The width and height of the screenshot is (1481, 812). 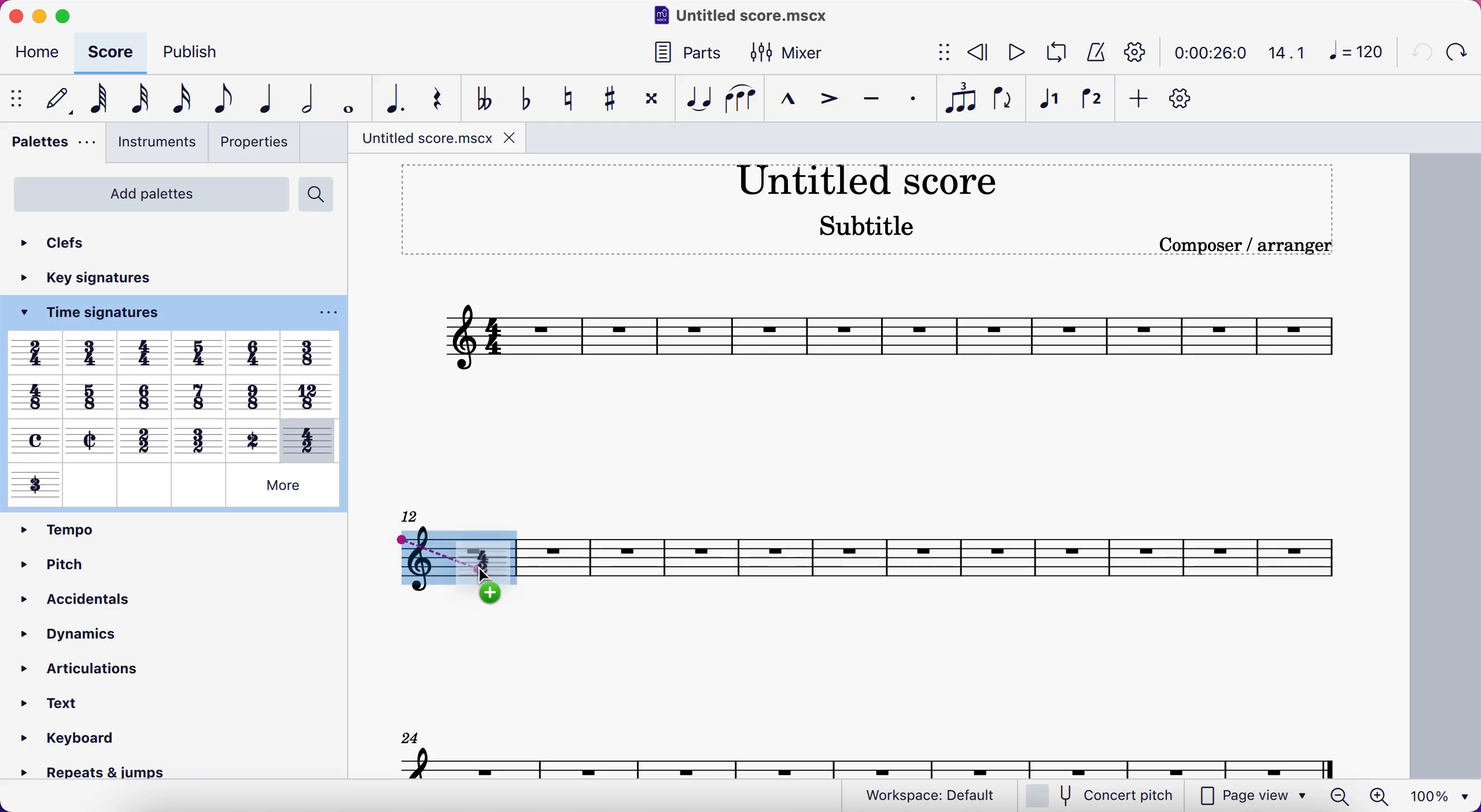 What do you see at coordinates (1204, 53) in the screenshot?
I see `time` at bounding box center [1204, 53].